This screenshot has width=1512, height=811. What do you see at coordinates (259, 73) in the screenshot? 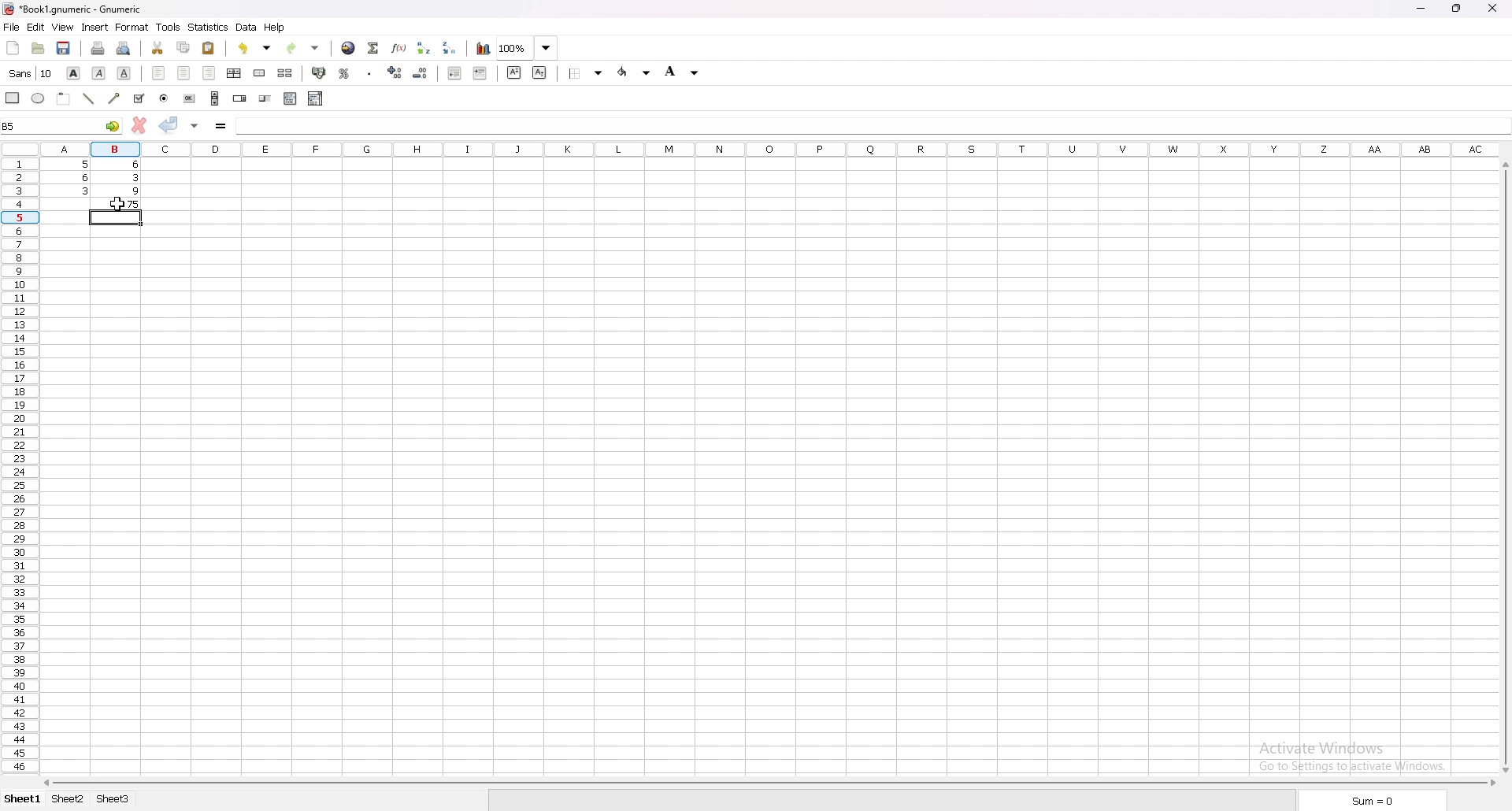
I see `merged cell` at bounding box center [259, 73].